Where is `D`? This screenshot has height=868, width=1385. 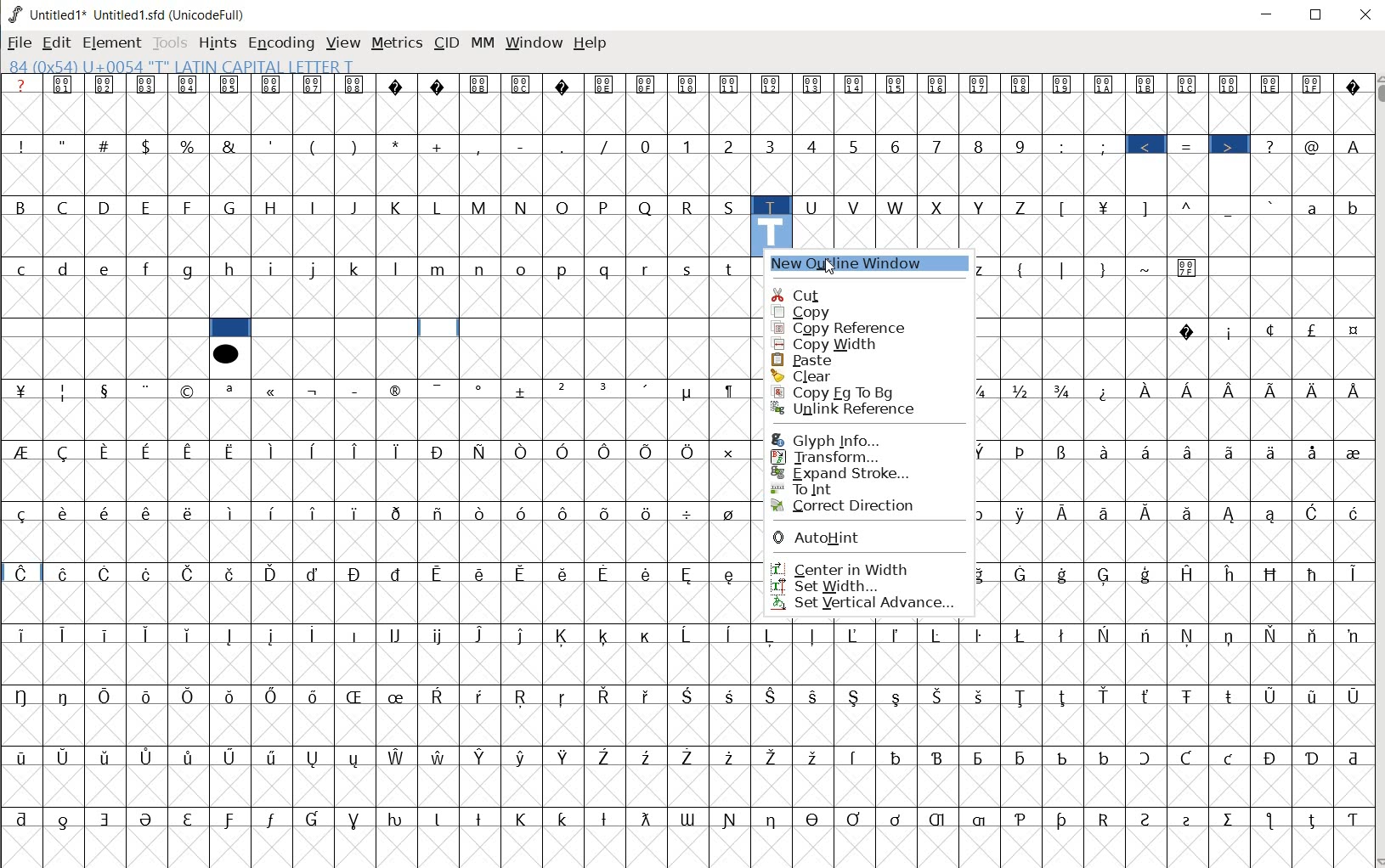
D is located at coordinates (108, 208).